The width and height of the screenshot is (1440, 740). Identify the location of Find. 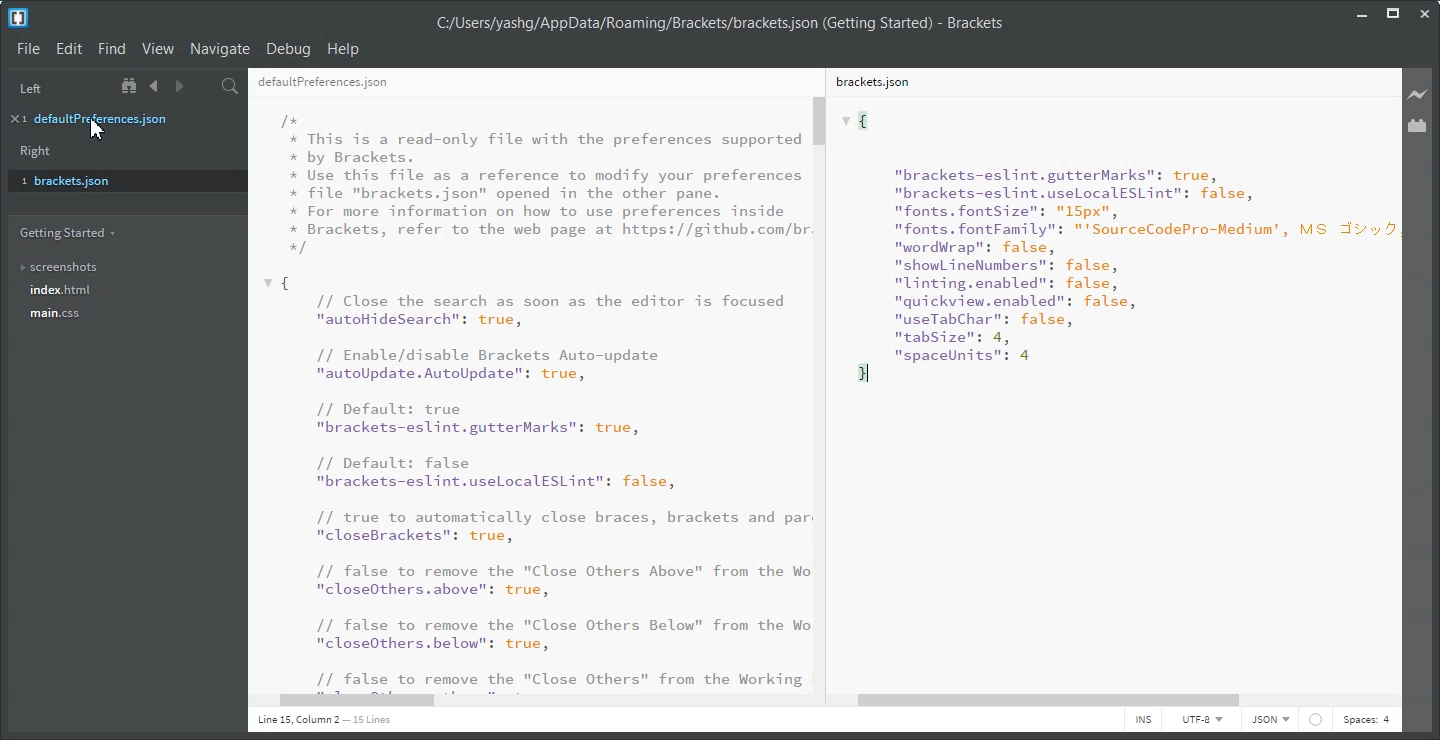
(111, 49).